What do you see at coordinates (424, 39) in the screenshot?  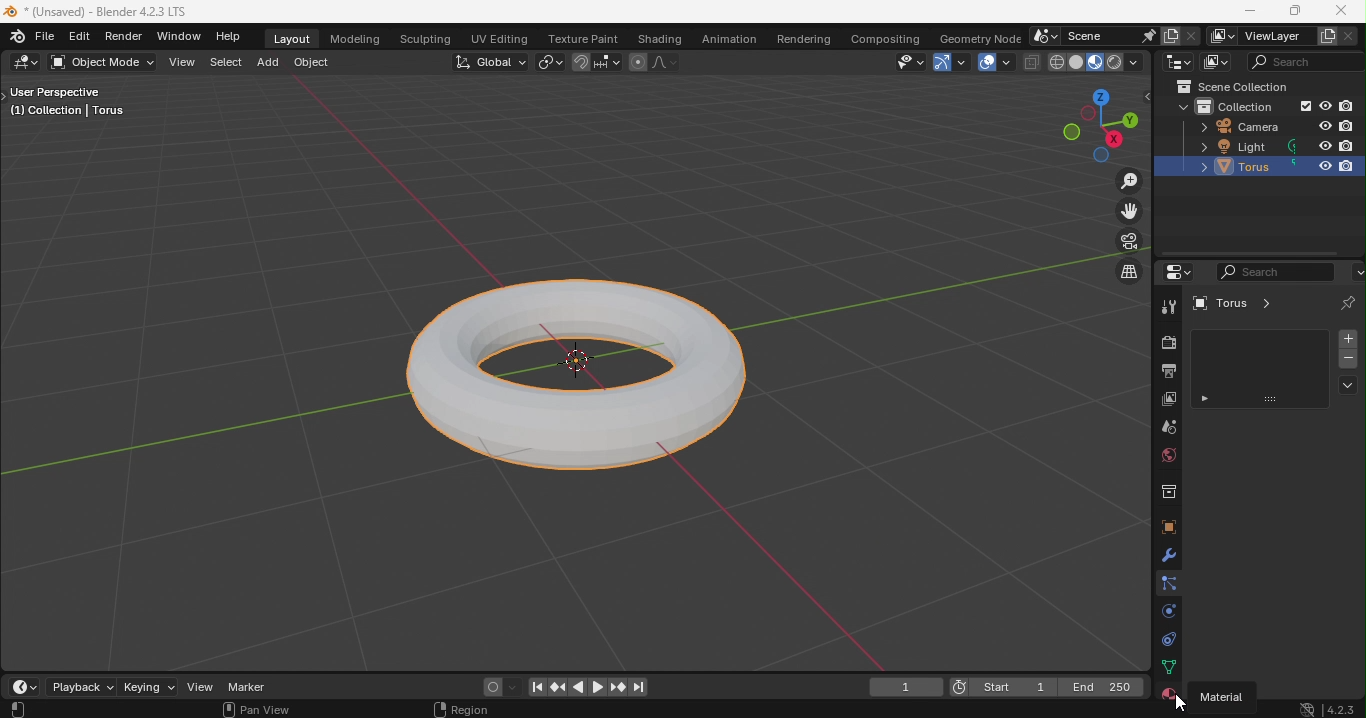 I see `Sculpting` at bounding box center [424, 39].